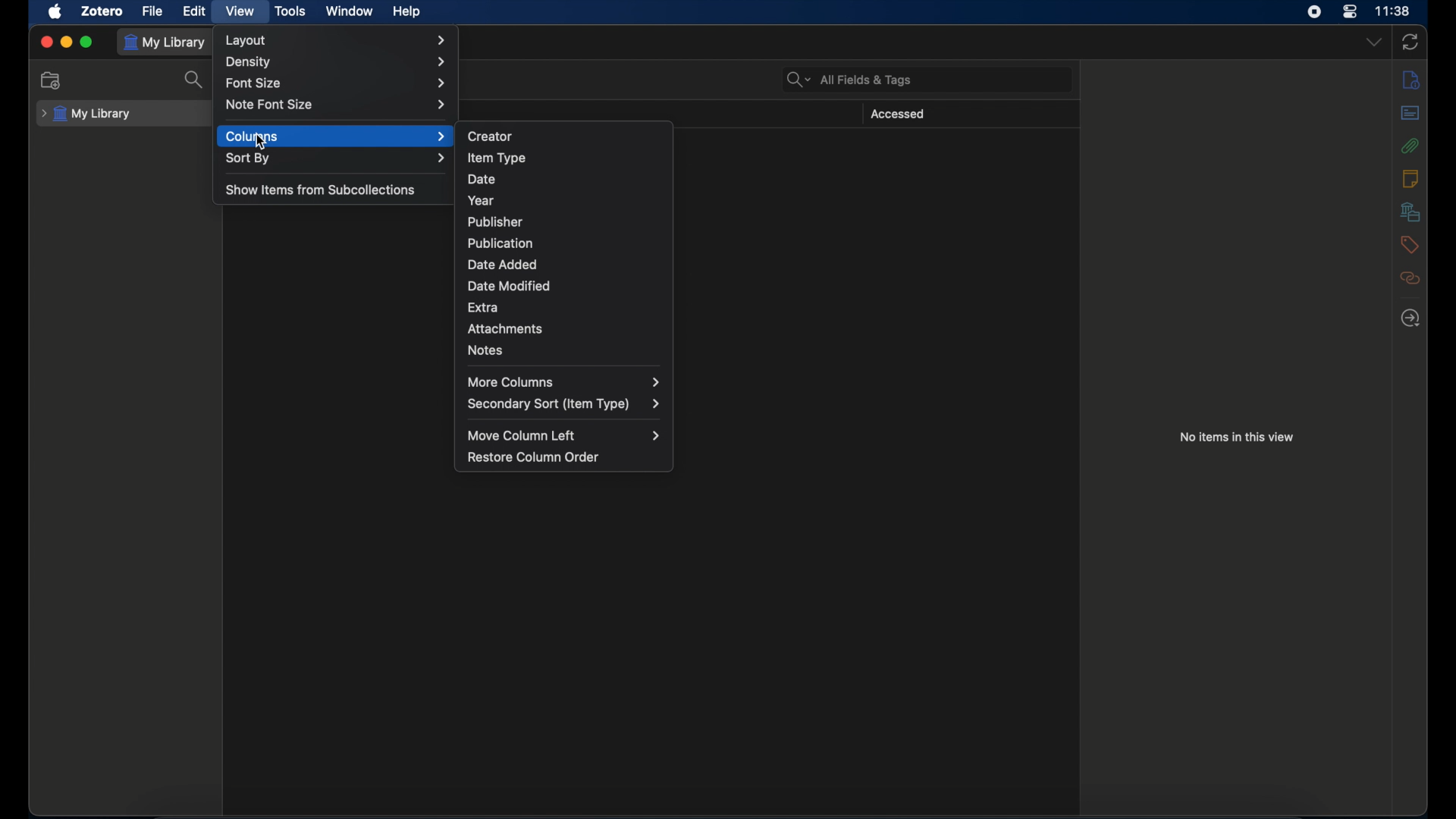  What do you see at coordinates (336, 84) in the screenshot?
I see `font size` at bounding box center [336, 84].